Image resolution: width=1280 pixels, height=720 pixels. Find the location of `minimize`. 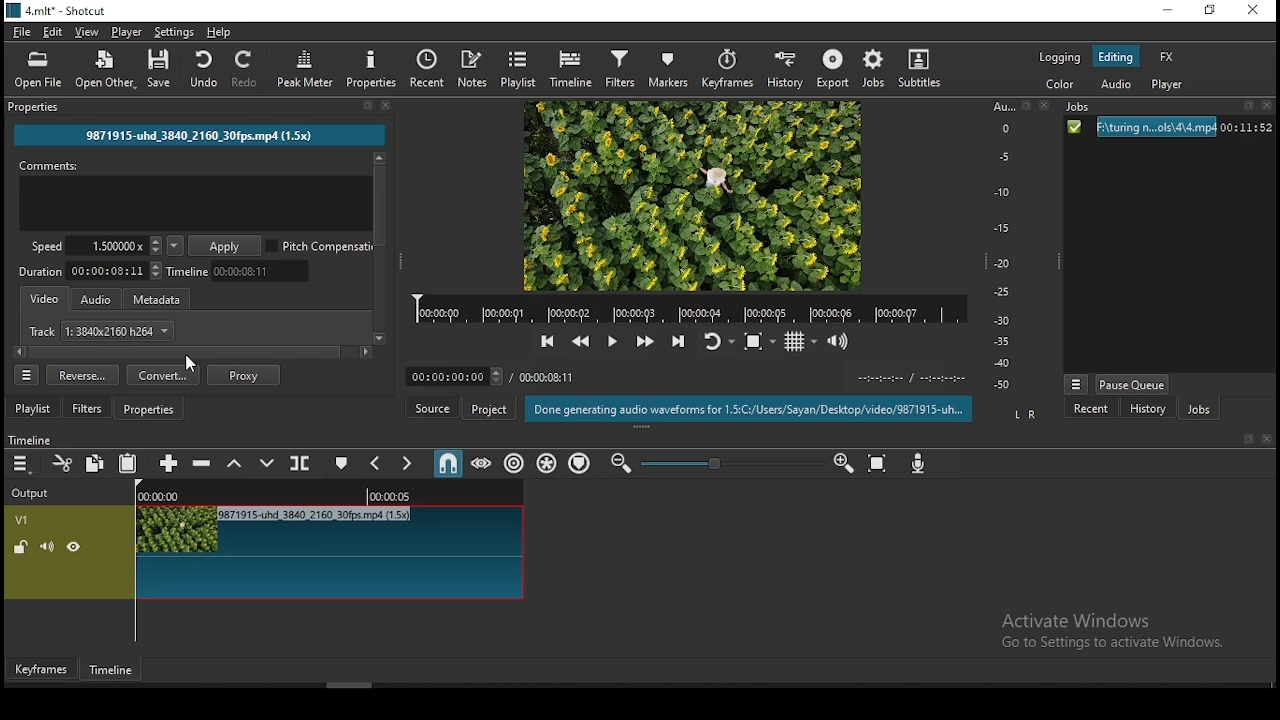

minimize is located at coordinates (1171, 11).